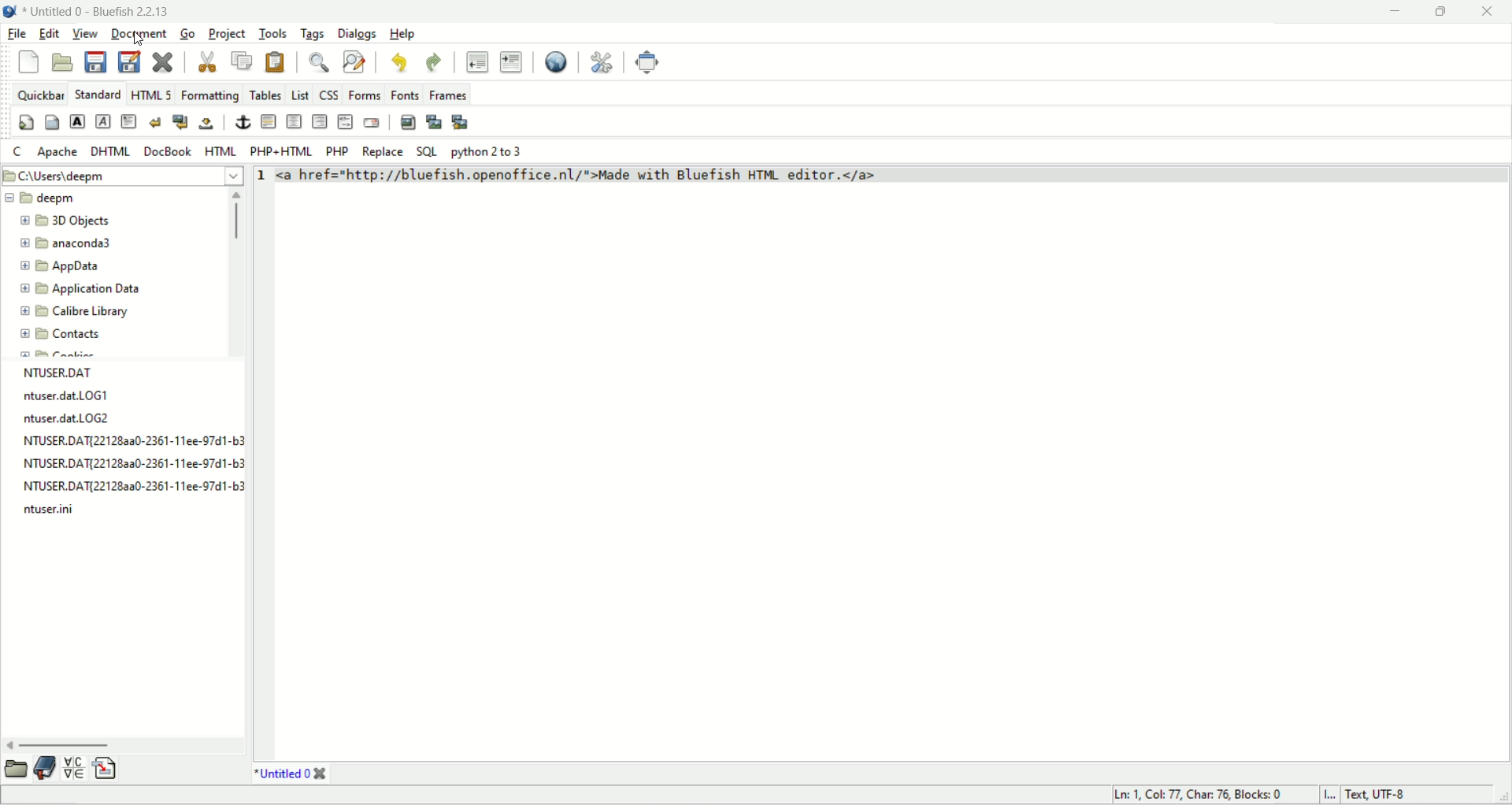  I want to click on minimize, so click(1391, 12).